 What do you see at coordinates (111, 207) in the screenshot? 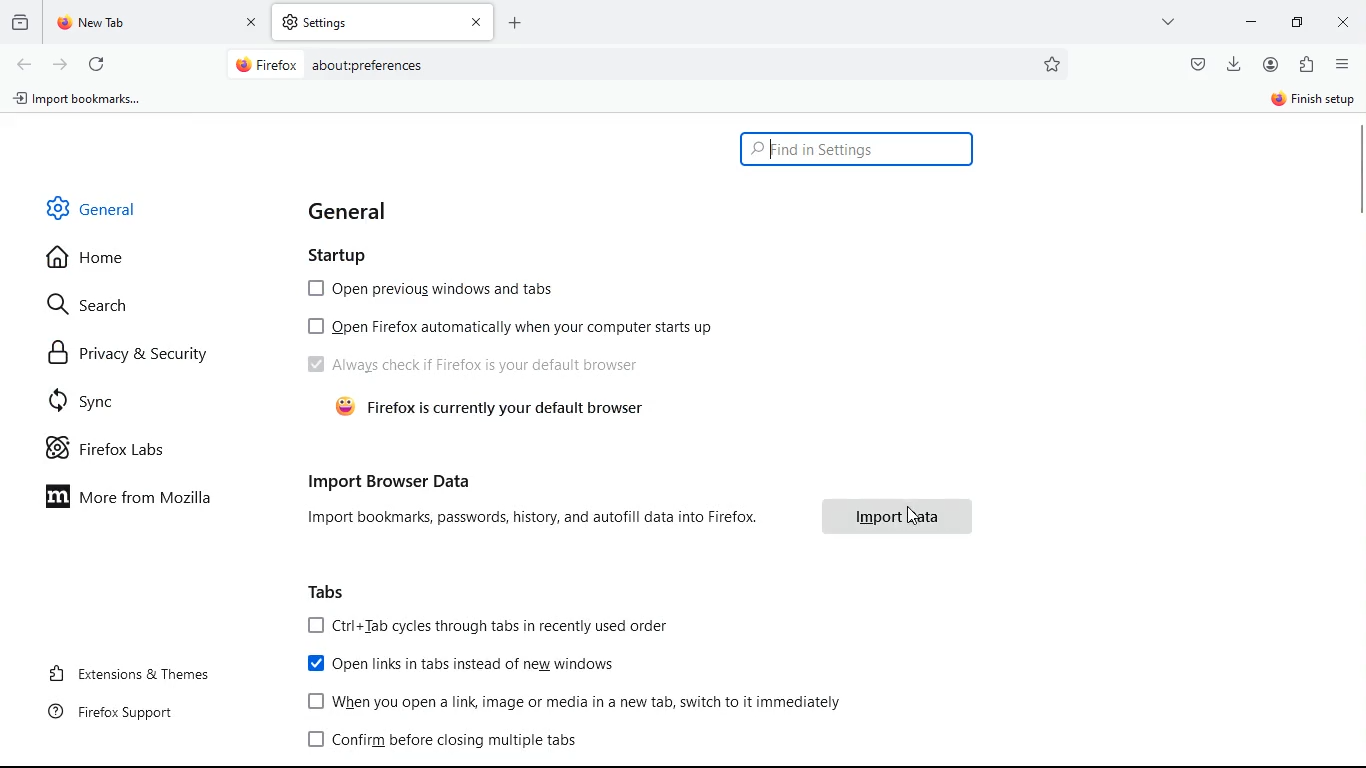
I see `general` at bounding box center [111, 207].